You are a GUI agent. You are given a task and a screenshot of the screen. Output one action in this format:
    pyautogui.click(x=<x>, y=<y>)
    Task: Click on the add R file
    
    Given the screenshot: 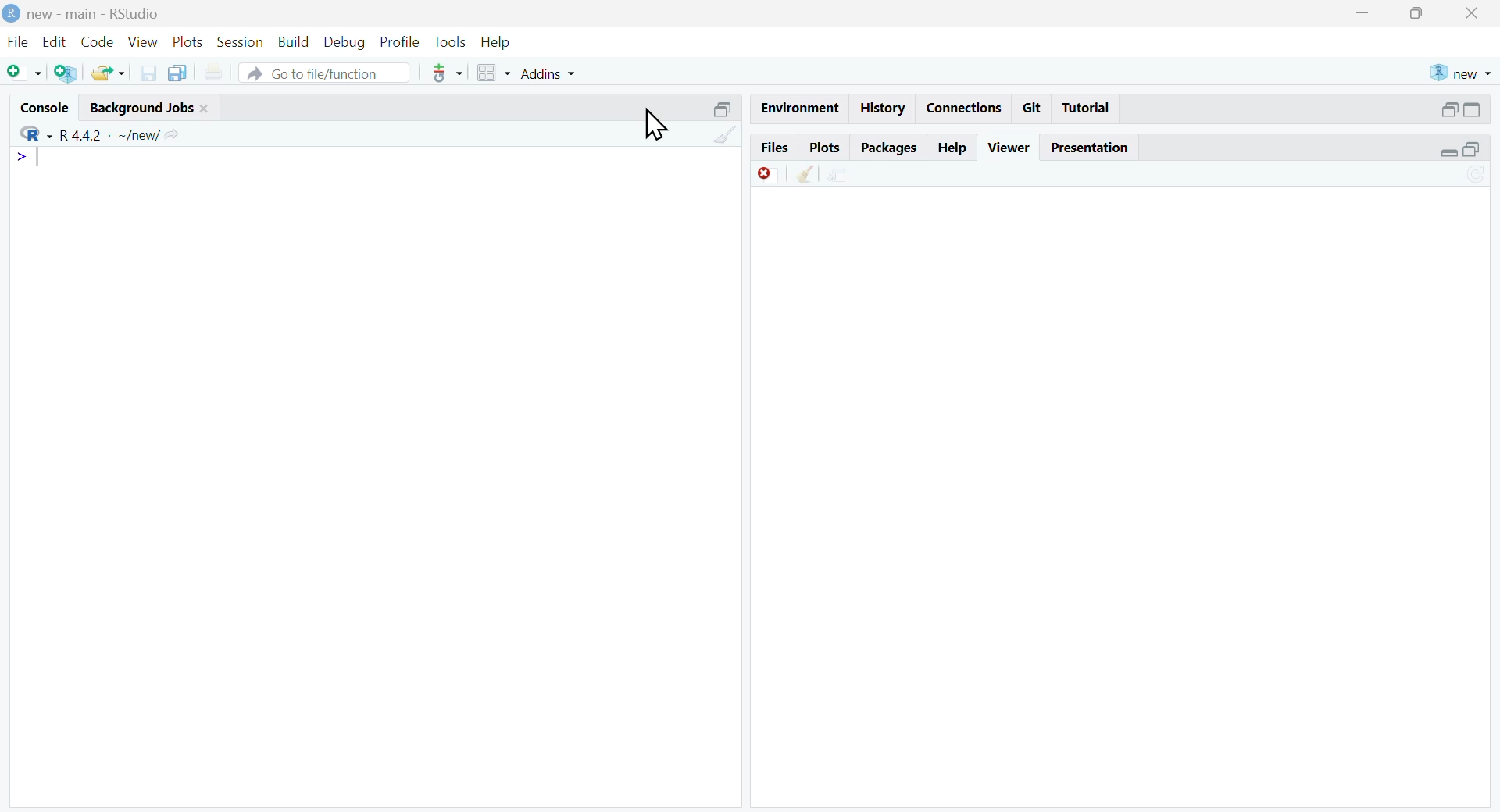 What is the action you would take?
    pyautogui.click(x=67, y=72)
    